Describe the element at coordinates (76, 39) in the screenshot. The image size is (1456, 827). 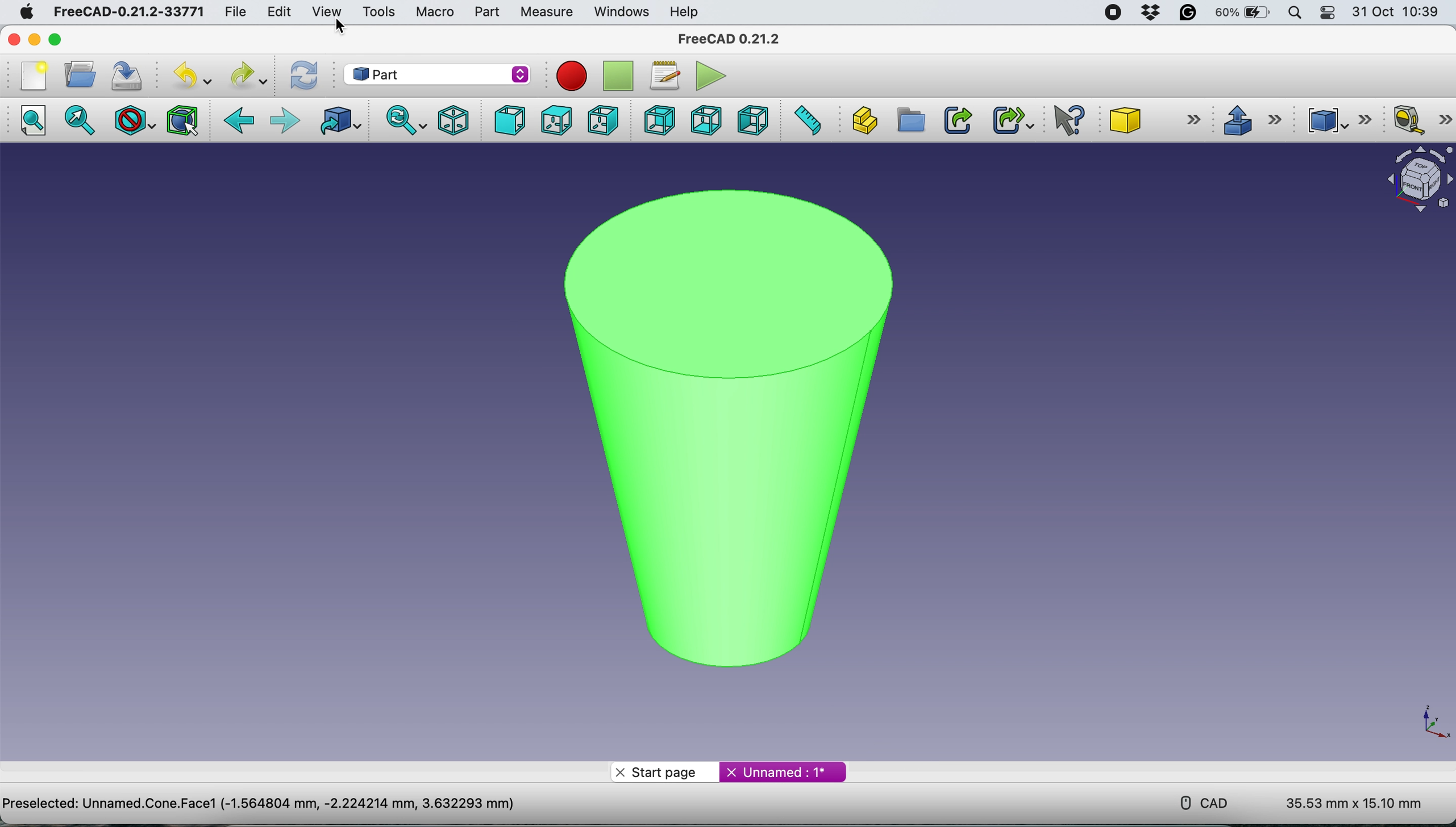
I see `maximise` at that location.